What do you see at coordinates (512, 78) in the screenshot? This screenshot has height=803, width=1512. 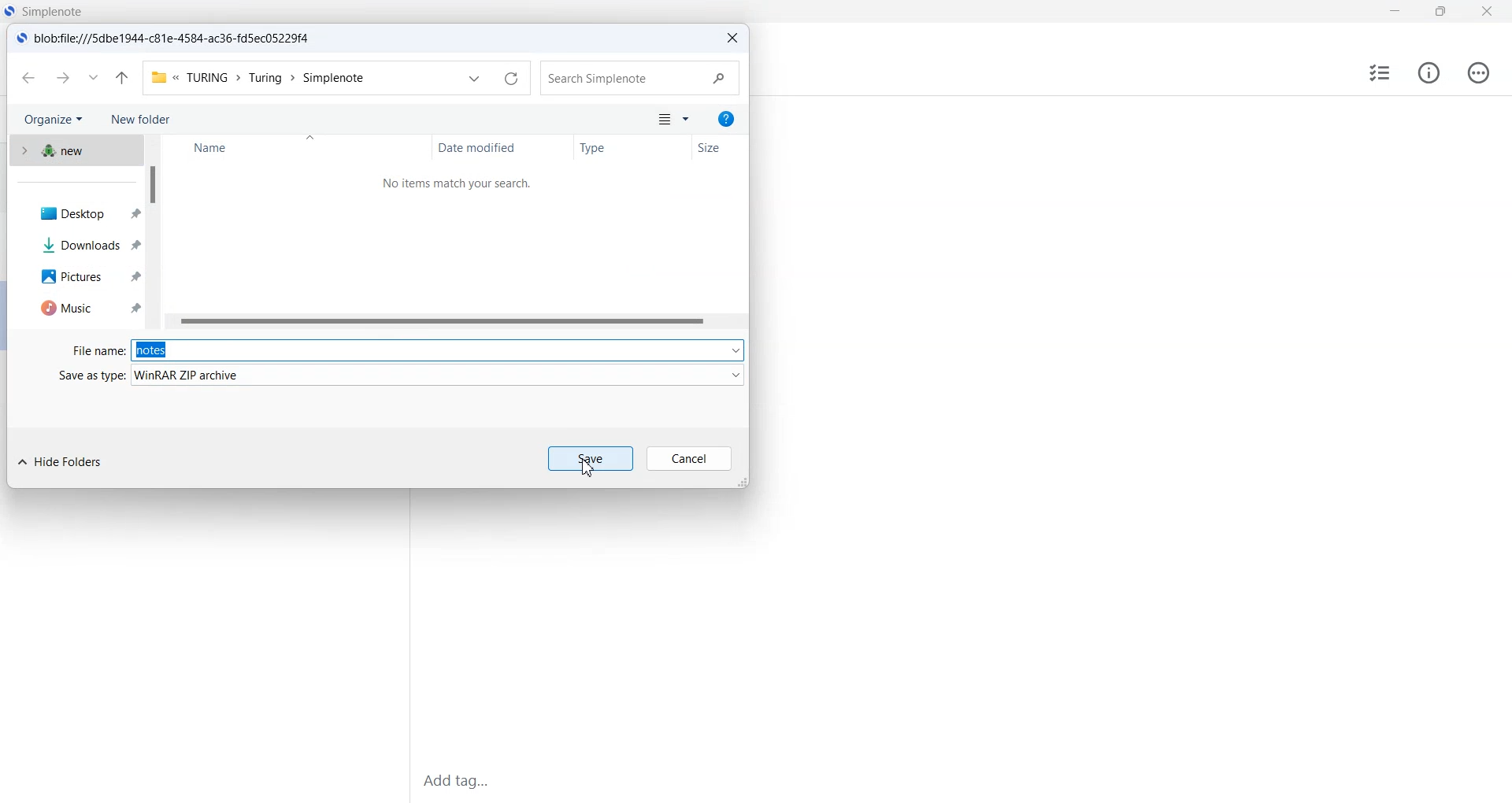 I see `Refresh rework` at bounding box center [512, 78].